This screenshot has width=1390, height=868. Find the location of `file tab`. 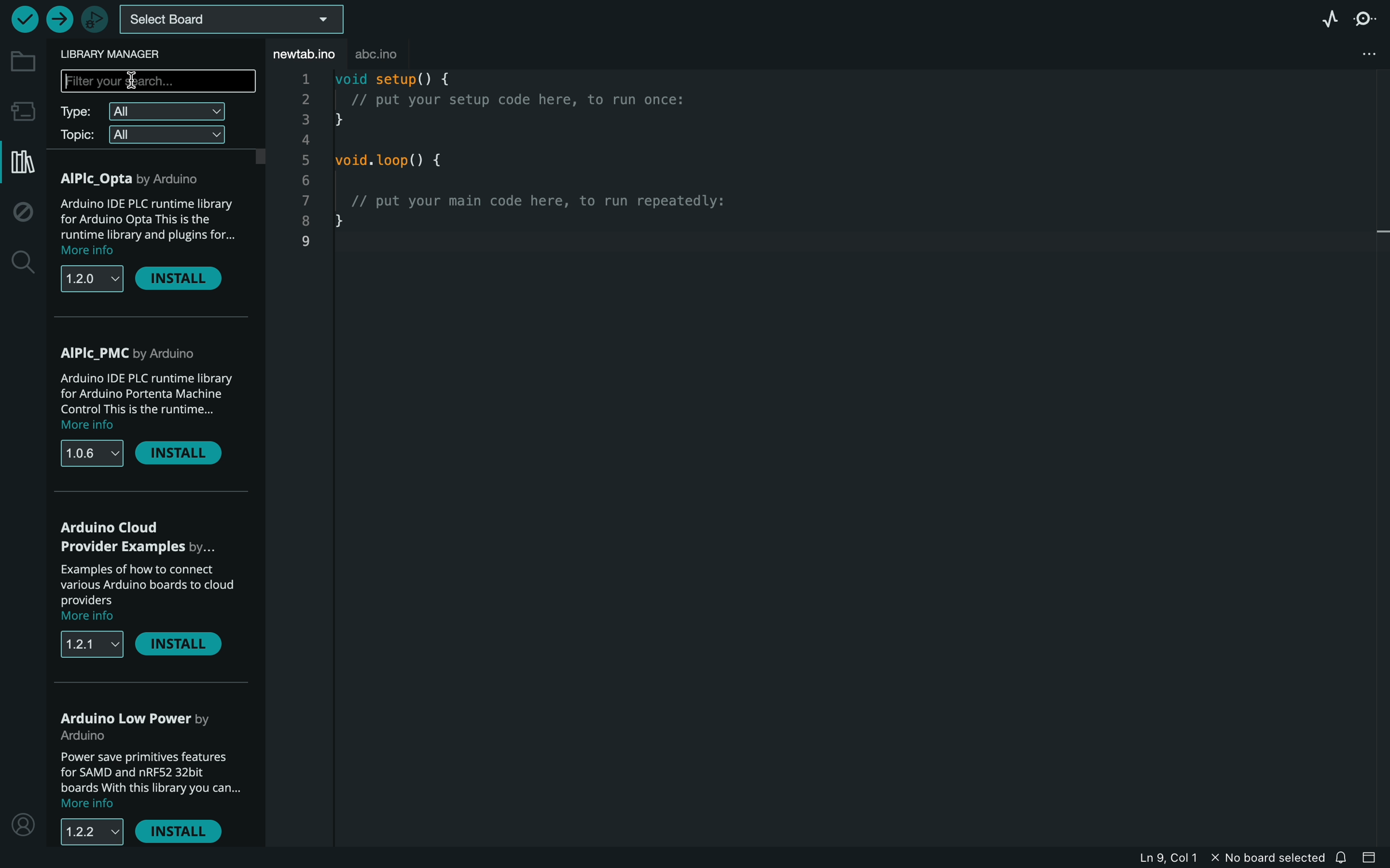

file tab is located at coordinates (306, 53).